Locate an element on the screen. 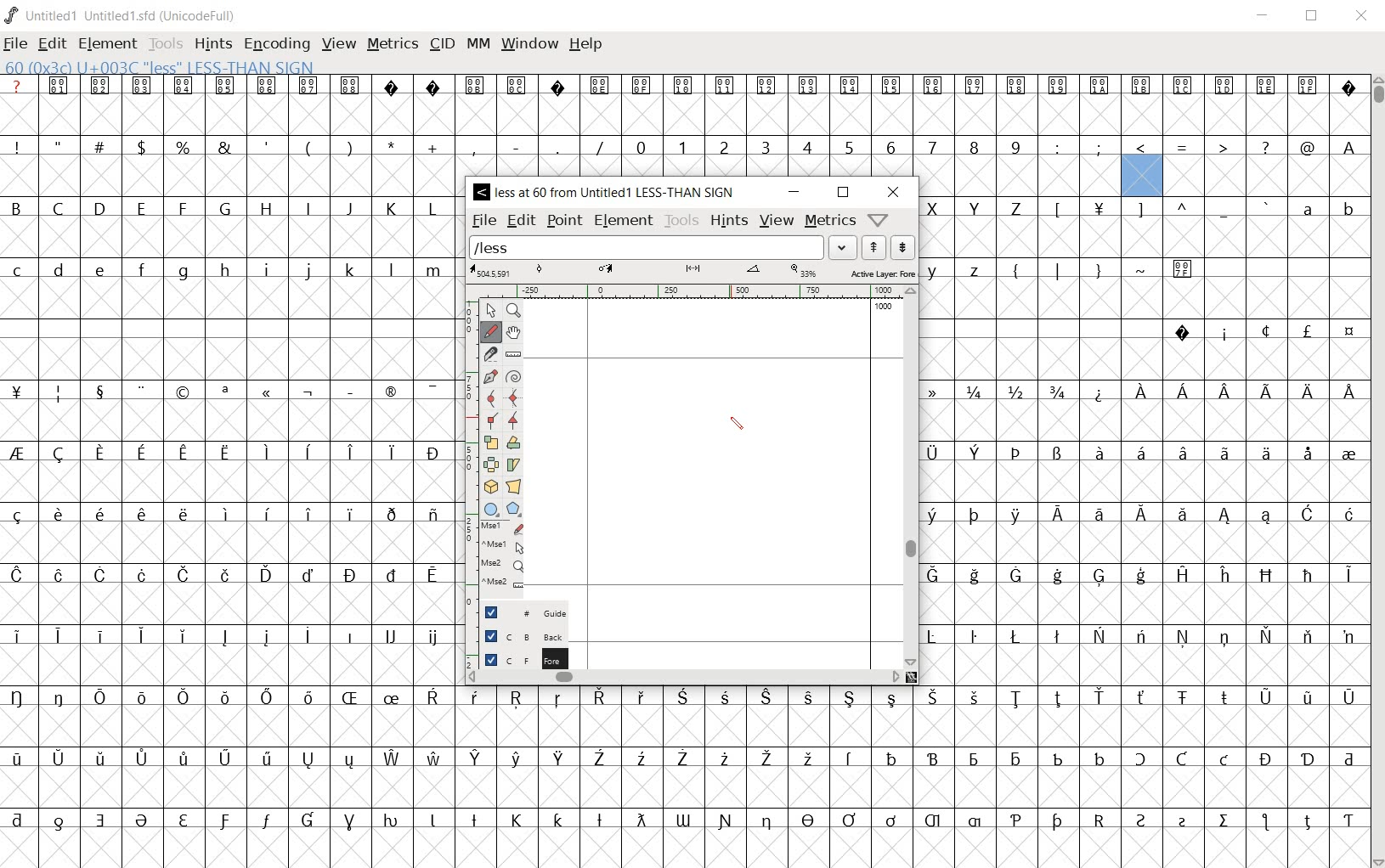  empty cells is located at coordinates (229, 176).